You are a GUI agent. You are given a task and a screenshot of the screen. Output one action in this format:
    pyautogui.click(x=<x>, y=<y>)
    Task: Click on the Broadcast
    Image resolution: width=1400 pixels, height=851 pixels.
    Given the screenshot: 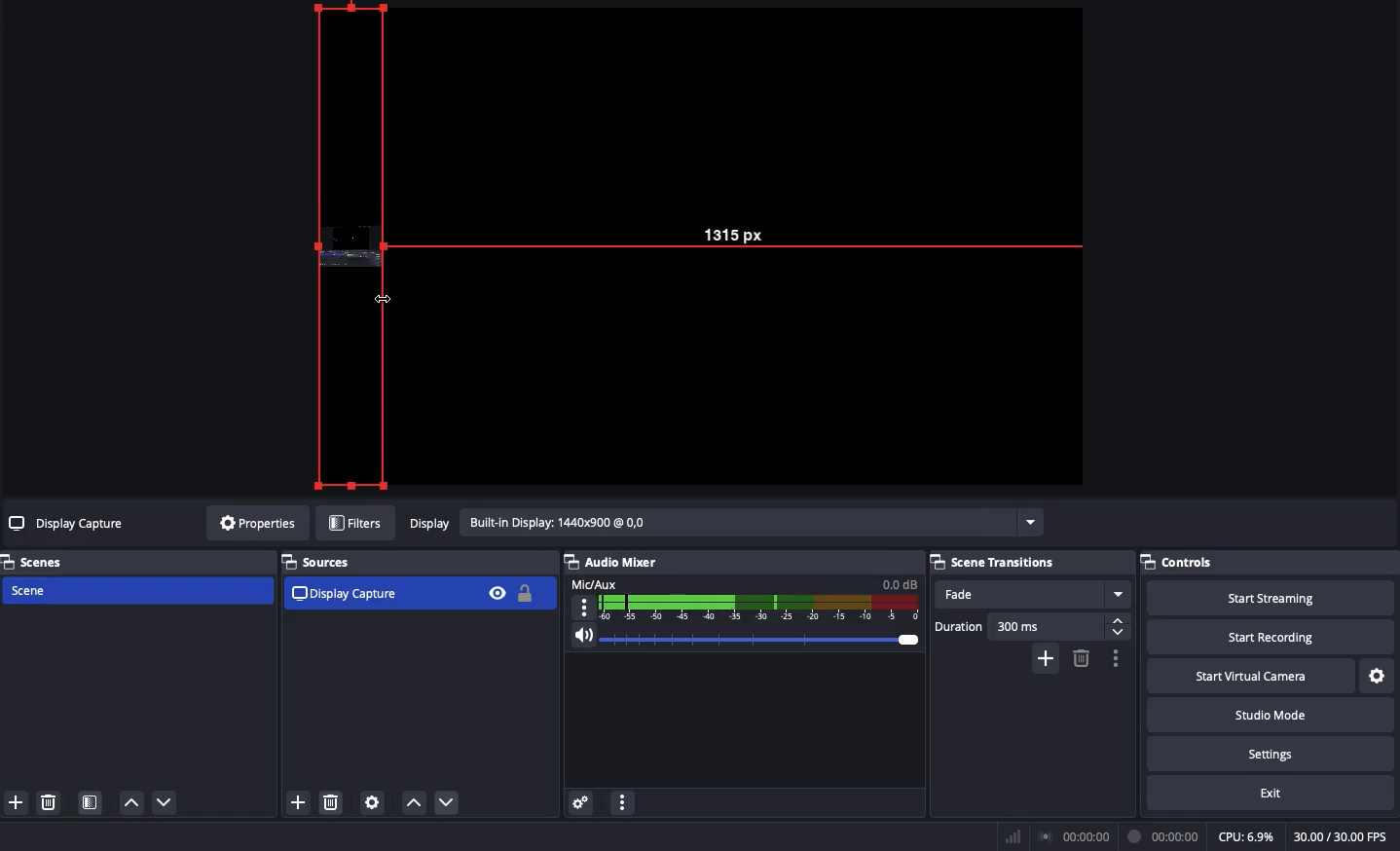 What is the action you would take?
    pyautogui.click(x=1078, y=837)
    